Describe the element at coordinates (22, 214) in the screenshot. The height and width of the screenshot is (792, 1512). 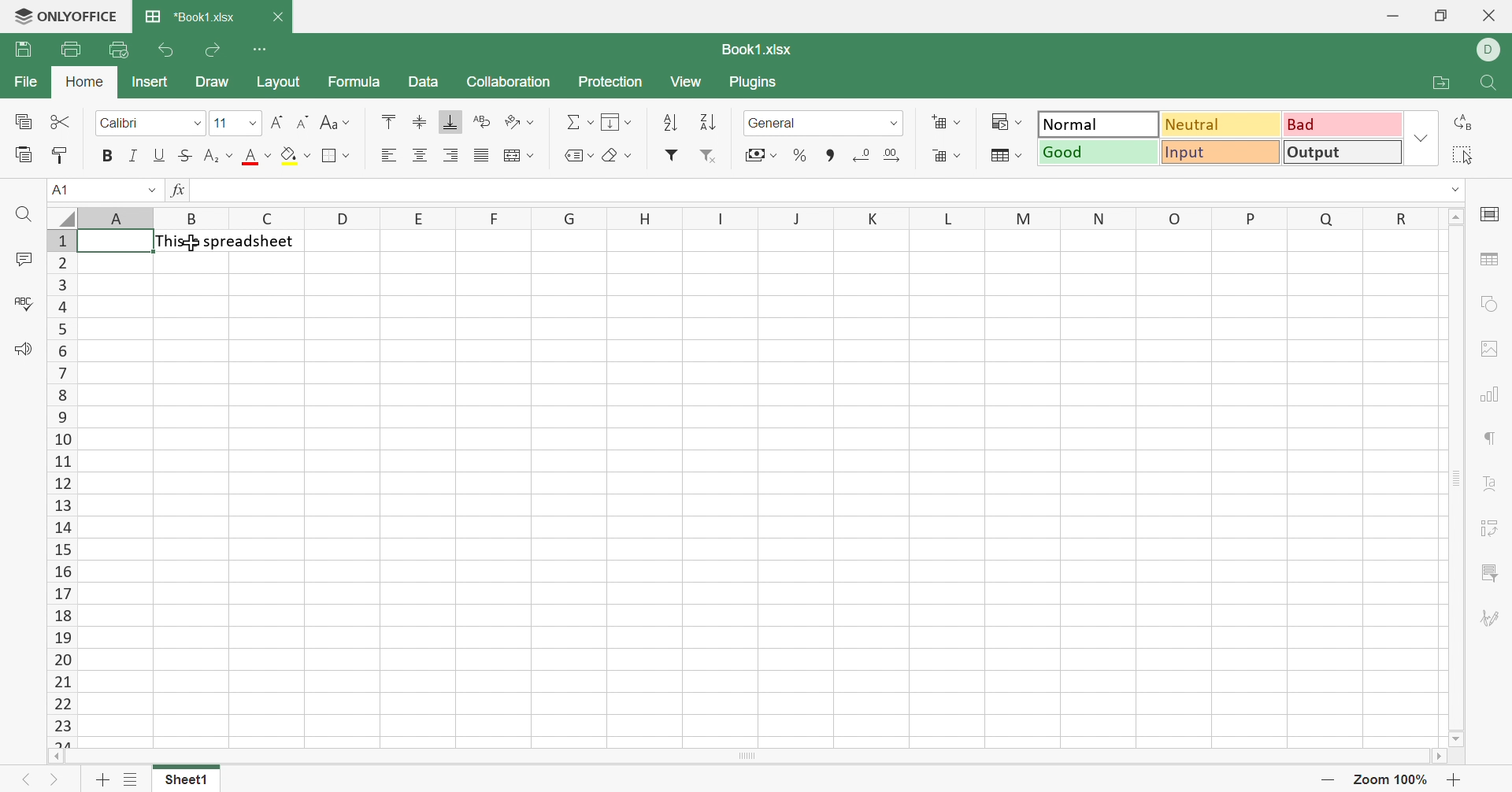
I see `Find` at that location.